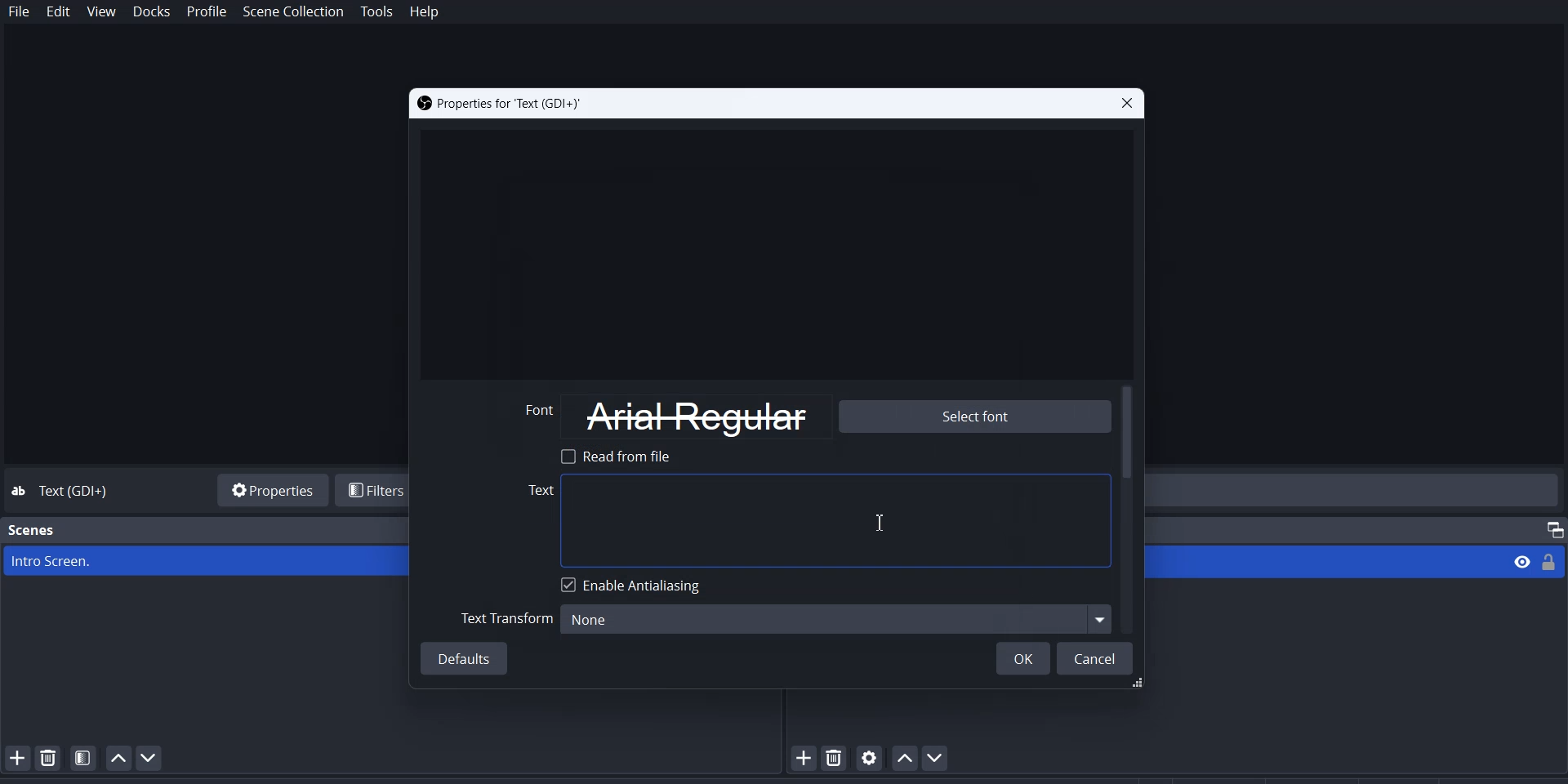 This screenshot has width=1568, height=784. Describe the element at coordinates (802, 759) in the screenshot. I see `Add Source` at that location.